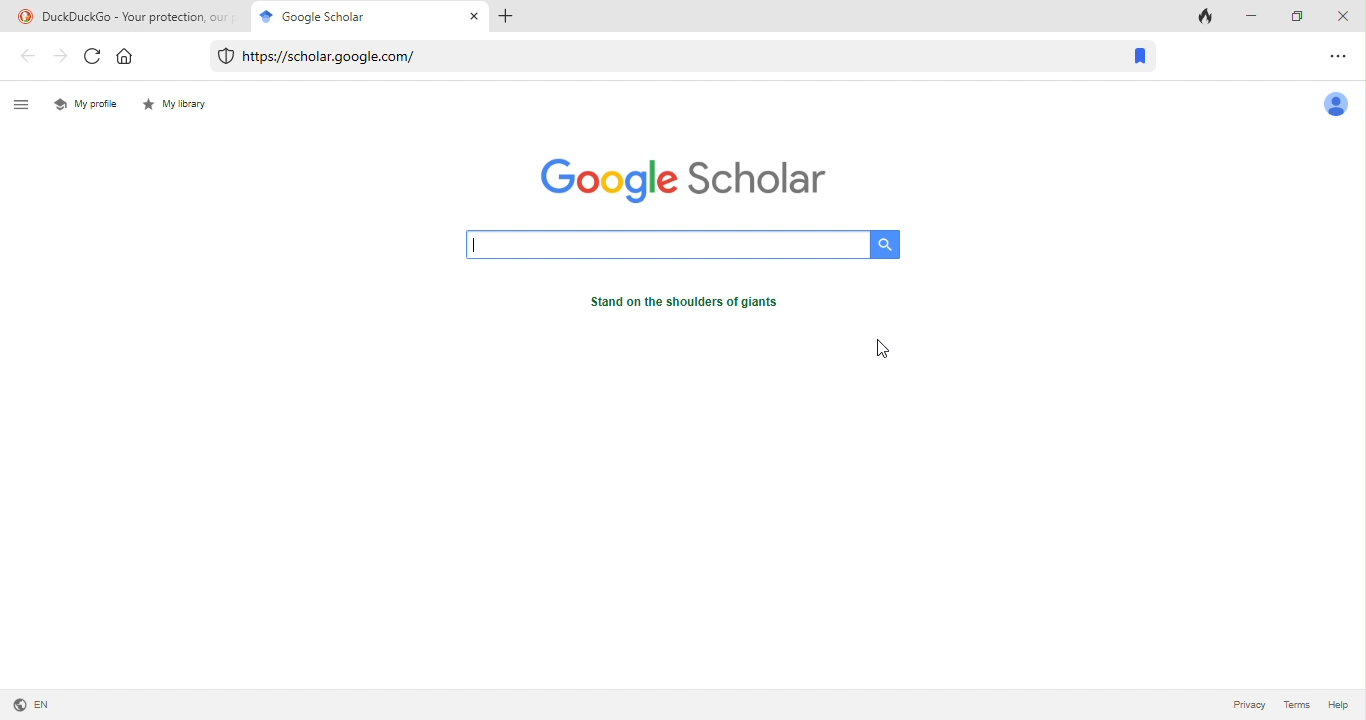 Image resolution: width=1366 pixels, height=720 pixels. I want to click on add tab, so click(508, 18).